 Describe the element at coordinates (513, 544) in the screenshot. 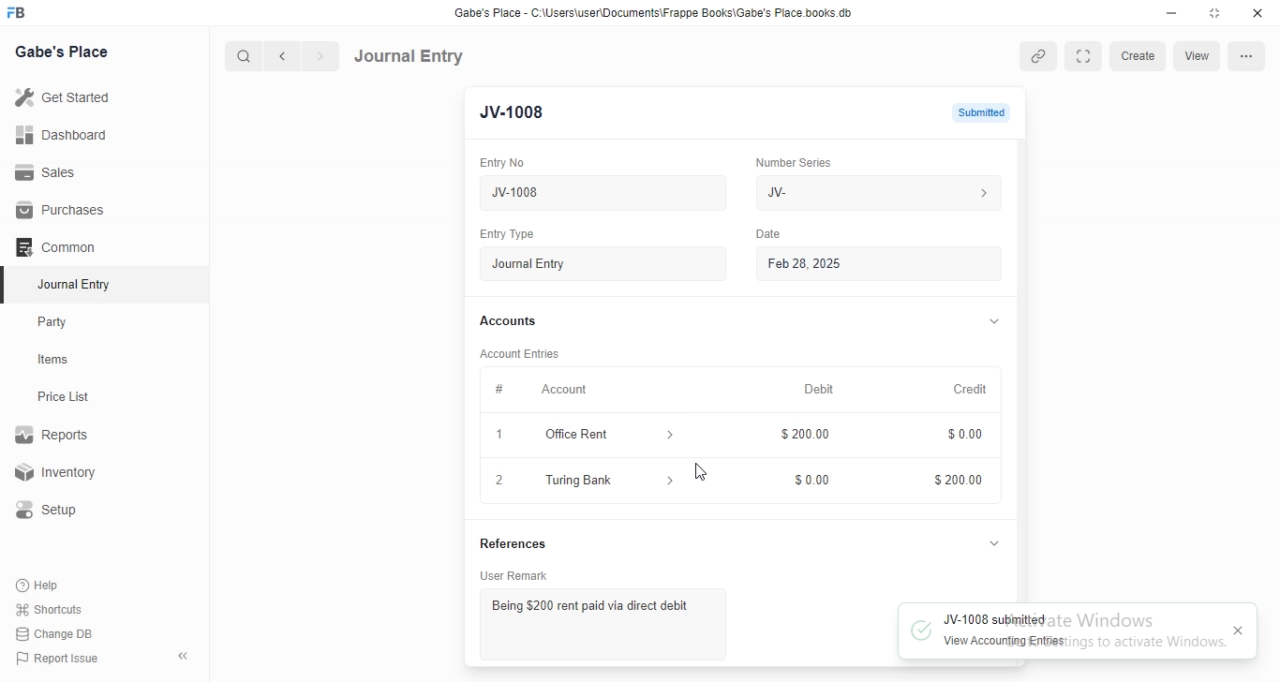

I see `References.` at that location.